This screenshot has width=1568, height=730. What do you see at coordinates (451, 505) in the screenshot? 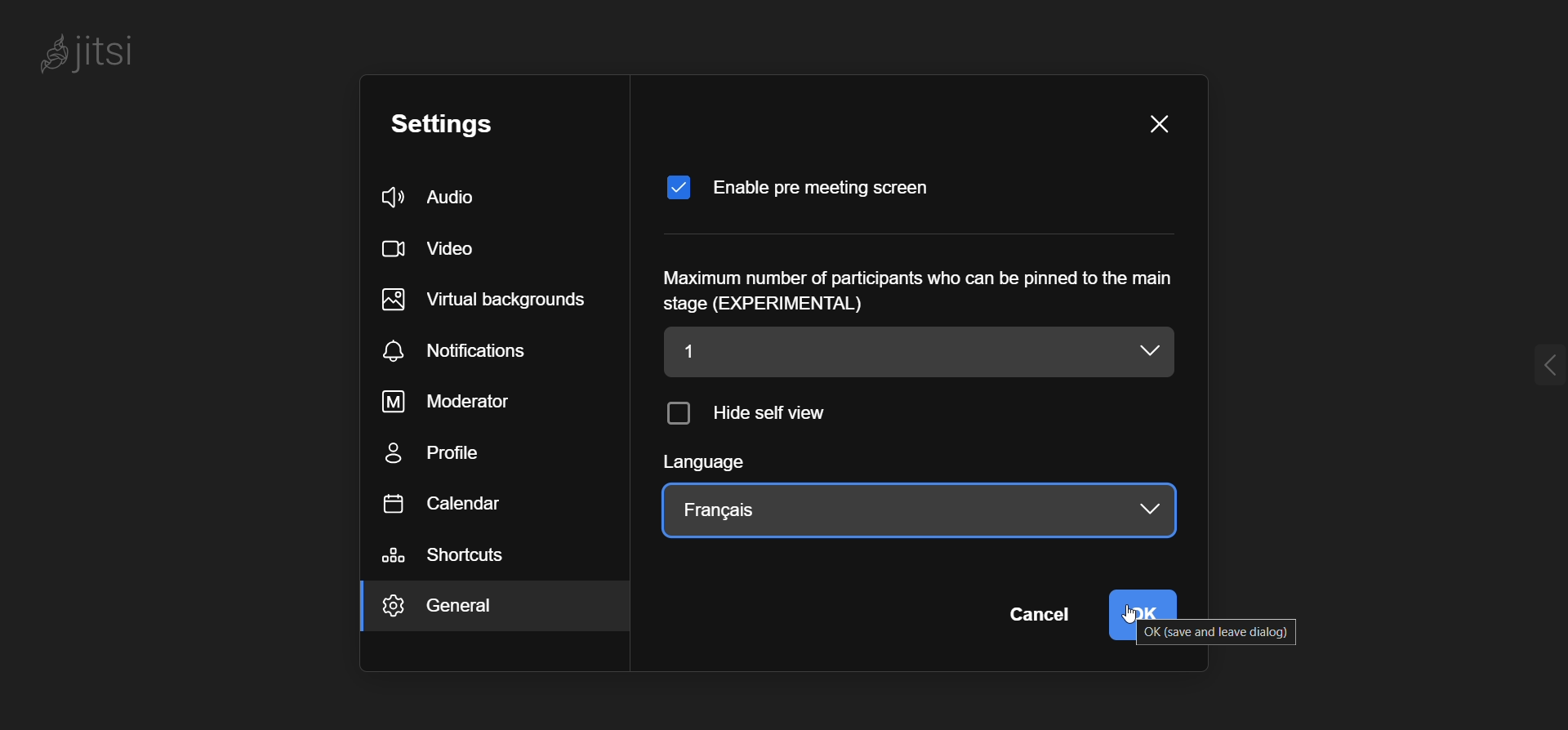
I see `calendar` at bounding box center [451, 505].